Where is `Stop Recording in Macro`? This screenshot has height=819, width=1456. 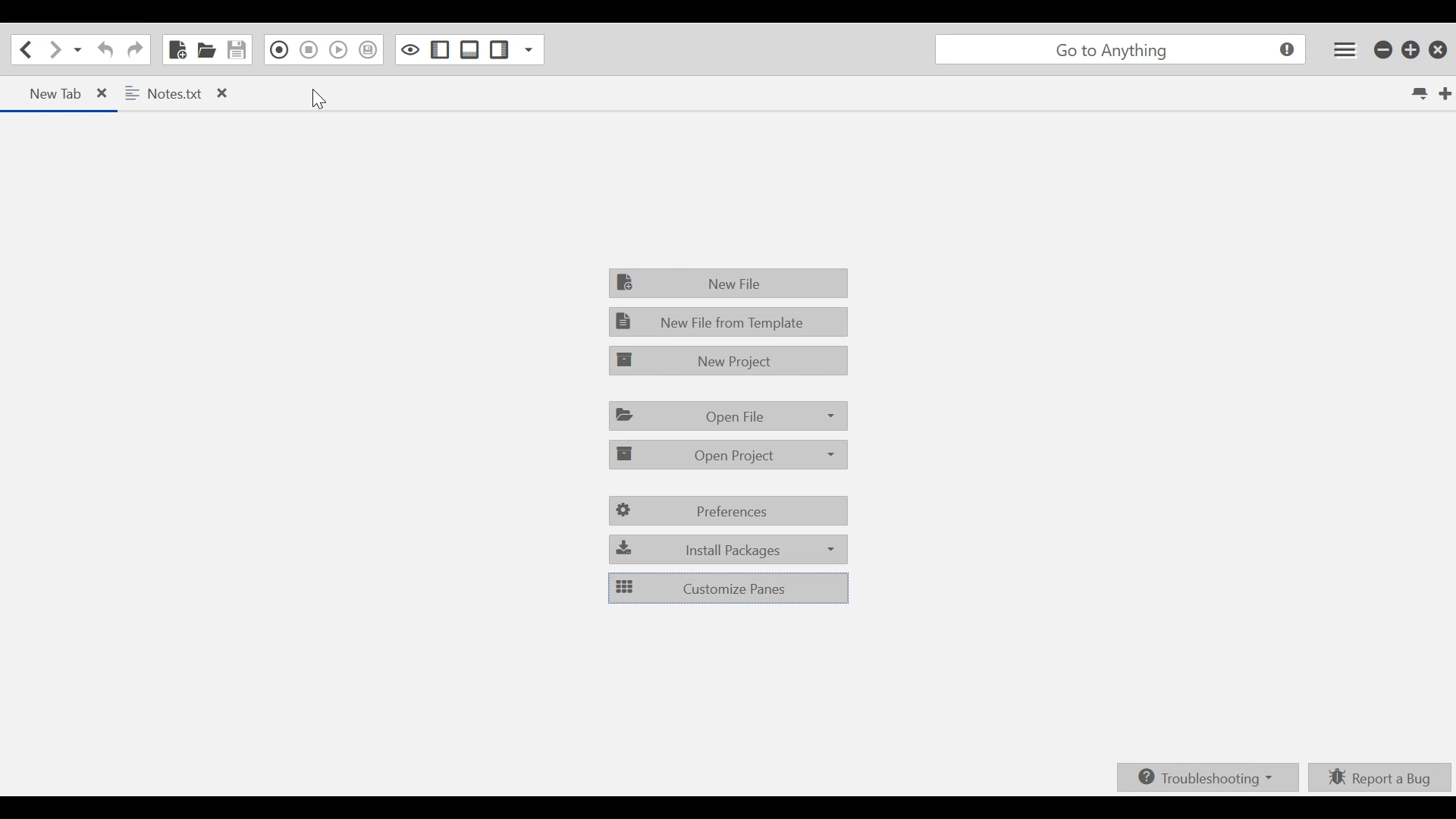 Stop Recording in Macro is located at coordinates (309, 50).